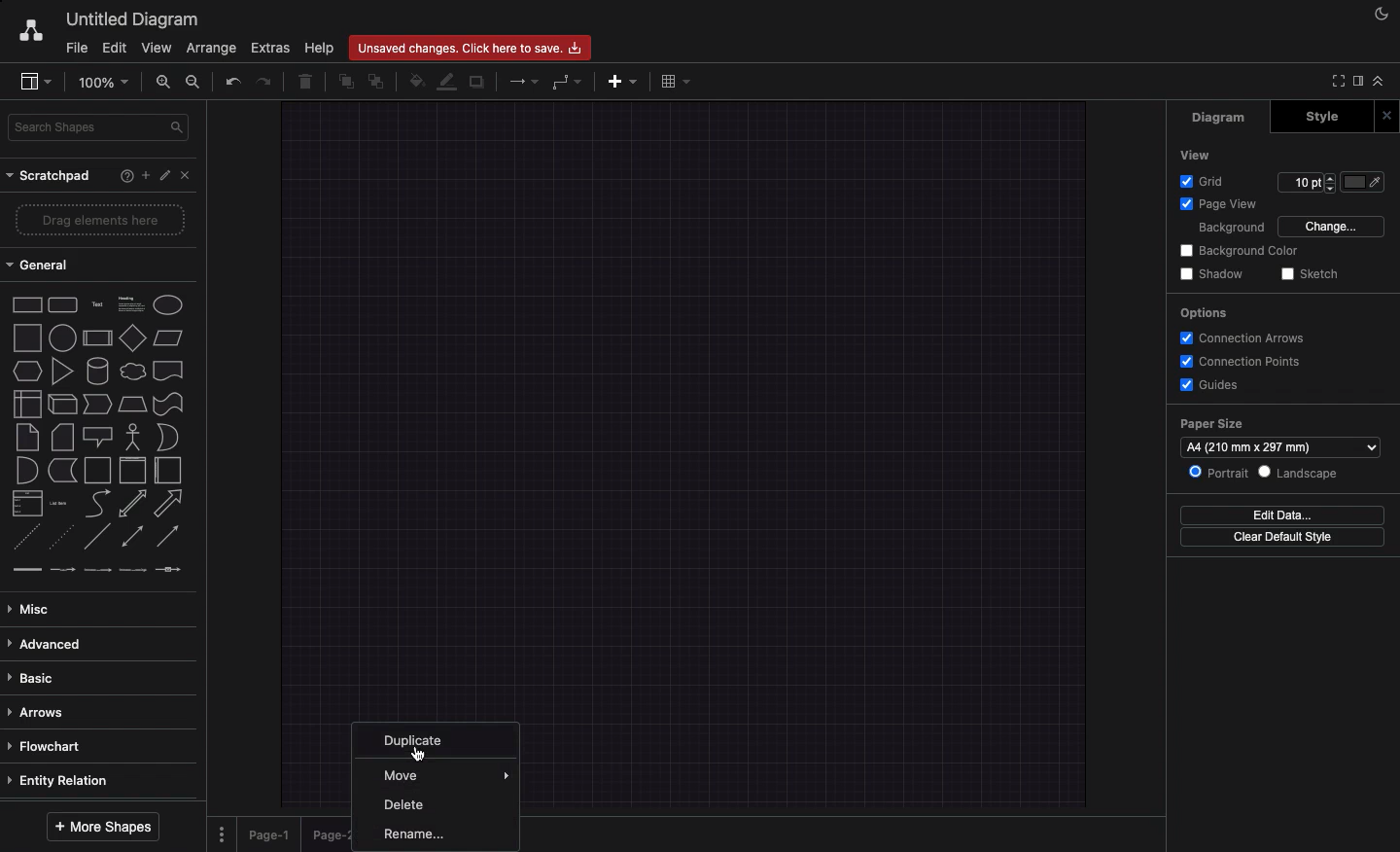  Describe the element at coordinates (1201, 182) in the screenshot. I see `Grid` at that location.